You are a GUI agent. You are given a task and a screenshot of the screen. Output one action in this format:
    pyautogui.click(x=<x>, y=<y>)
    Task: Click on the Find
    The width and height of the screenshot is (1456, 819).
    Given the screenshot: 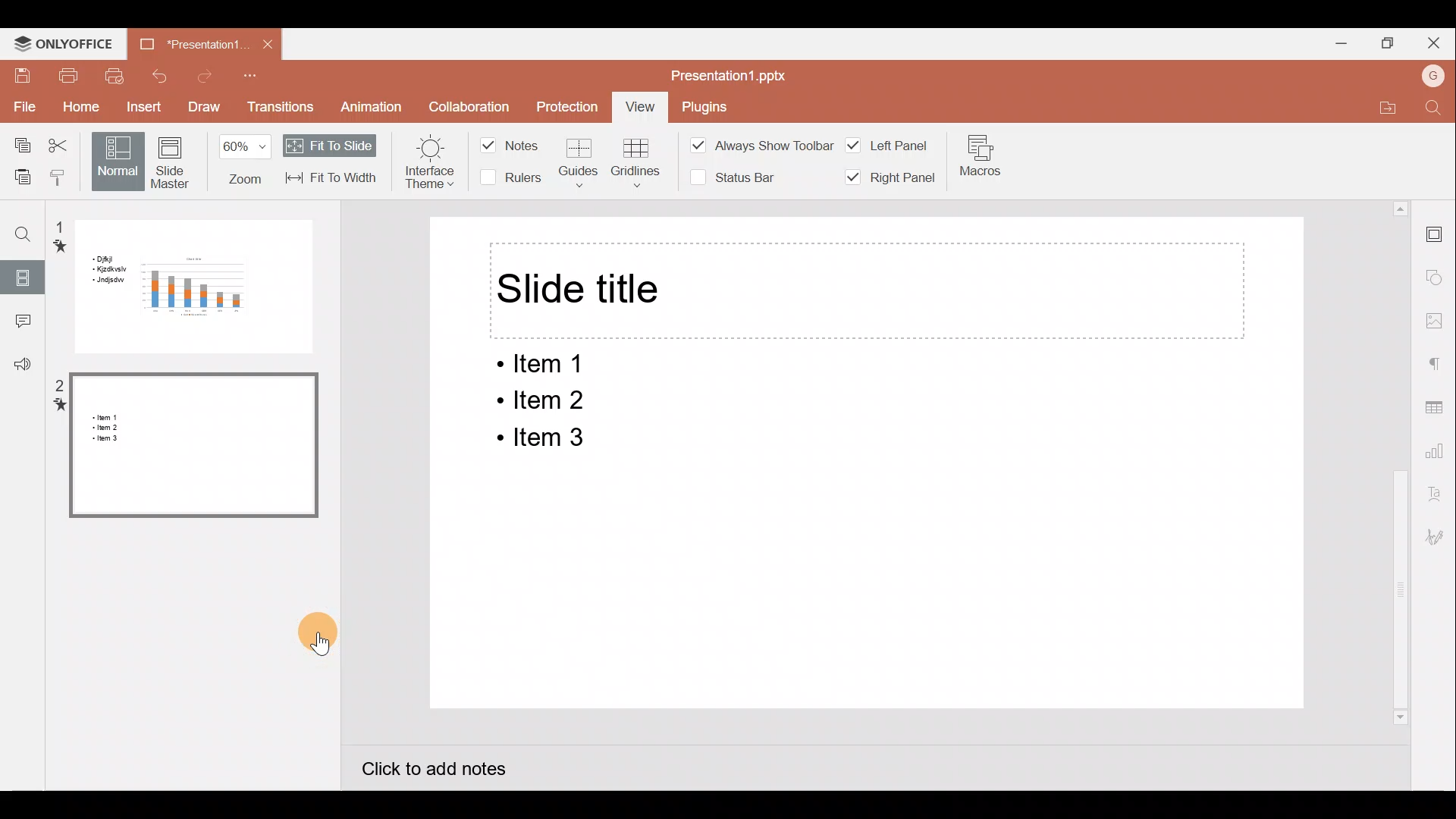 What is the action you would take?
    pyautogui.click(x=18, y=228)
    